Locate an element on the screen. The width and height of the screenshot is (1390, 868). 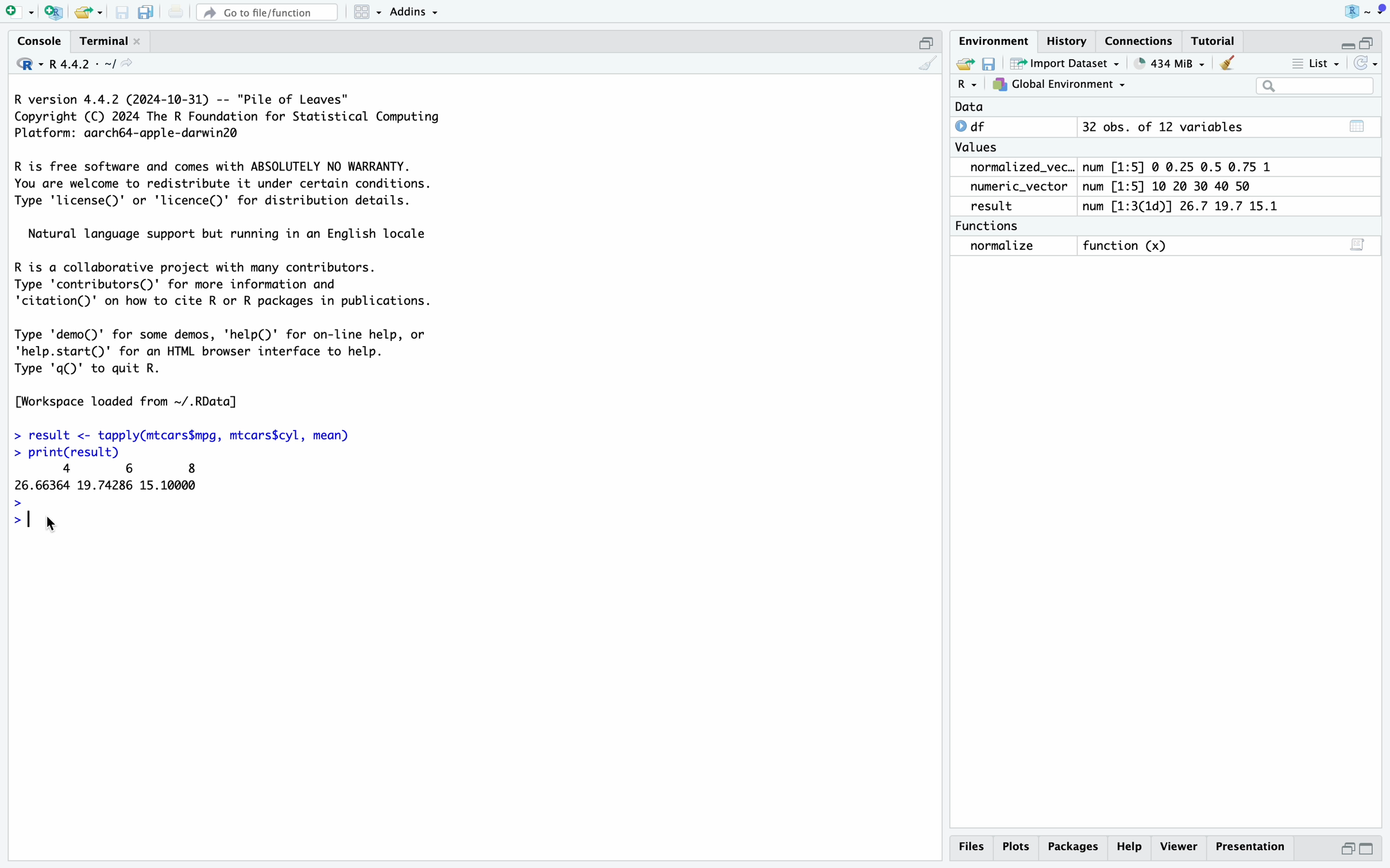
result is located at coordinates (995, 206).